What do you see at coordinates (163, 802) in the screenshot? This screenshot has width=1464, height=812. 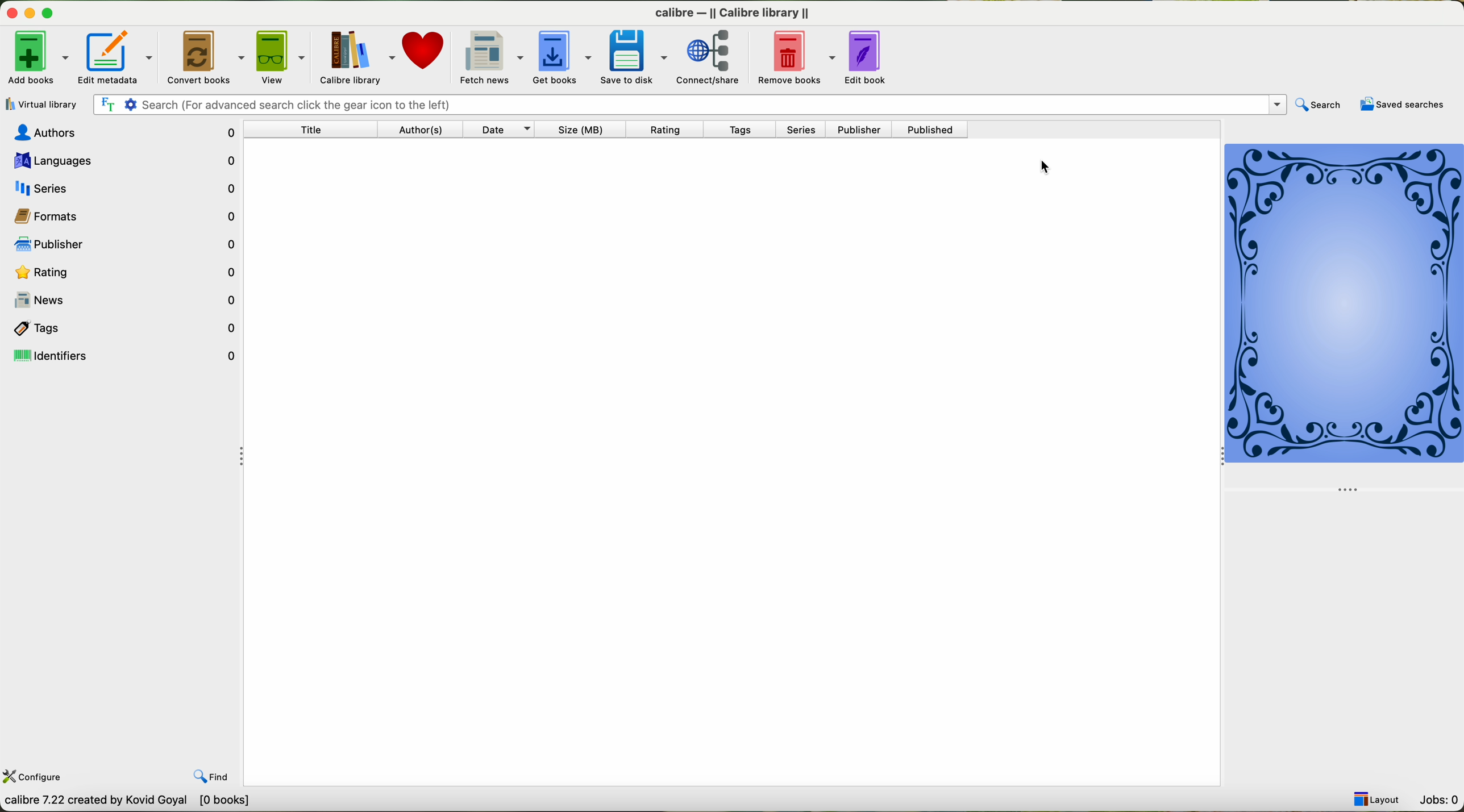 I see `calibe 7.22 creatd by Kavid Goyal [one book]` at bounding box center [163, 802].